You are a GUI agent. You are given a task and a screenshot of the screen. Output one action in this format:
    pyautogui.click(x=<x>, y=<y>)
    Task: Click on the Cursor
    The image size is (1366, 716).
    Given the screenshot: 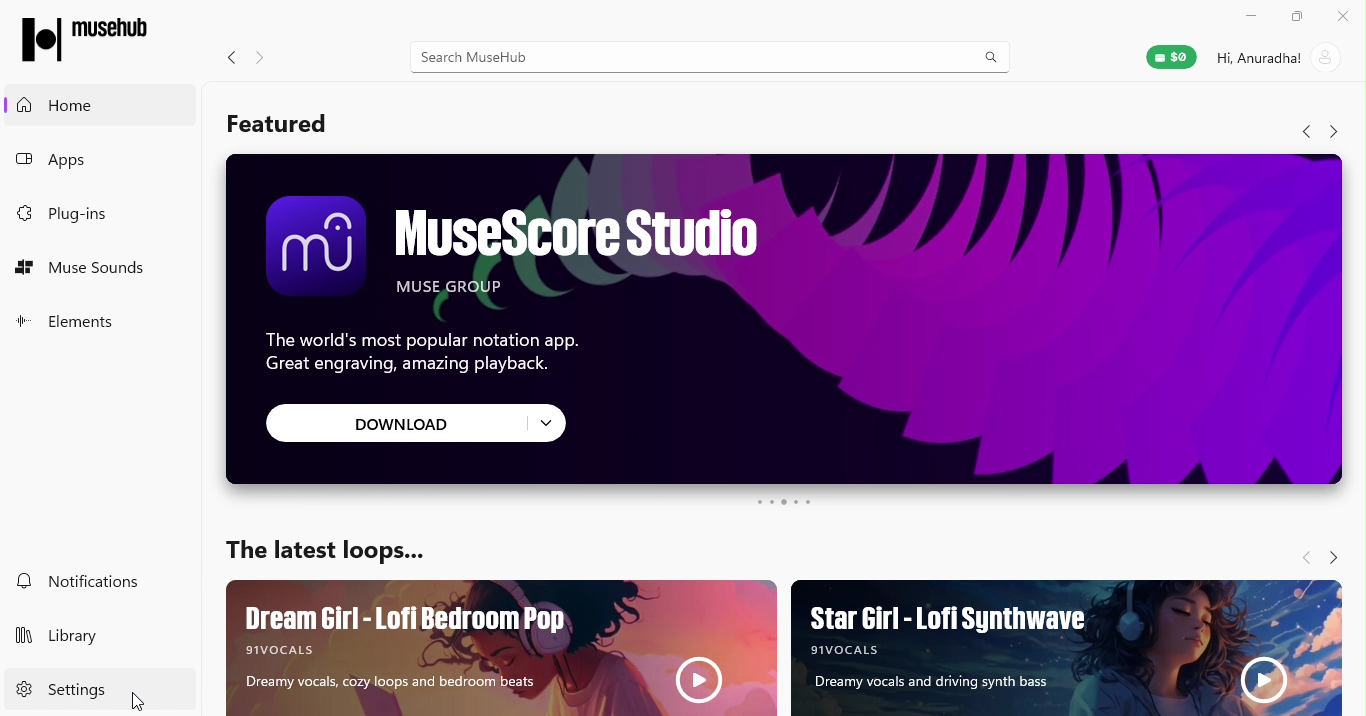 What is the action you would take?
    pyautogui.click(x=140, y=699)
    